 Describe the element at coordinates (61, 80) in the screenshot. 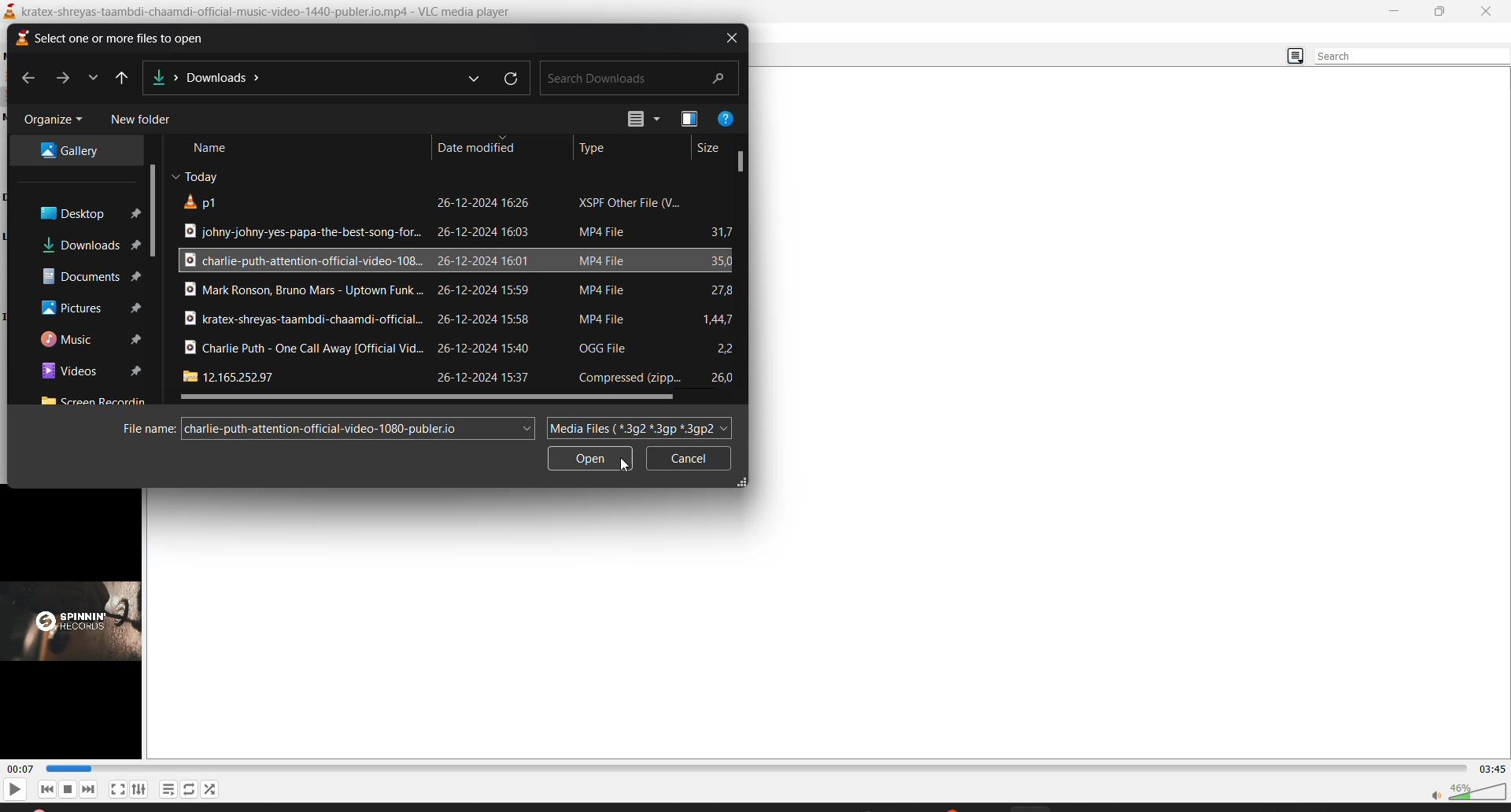

I see `forward` at that location.